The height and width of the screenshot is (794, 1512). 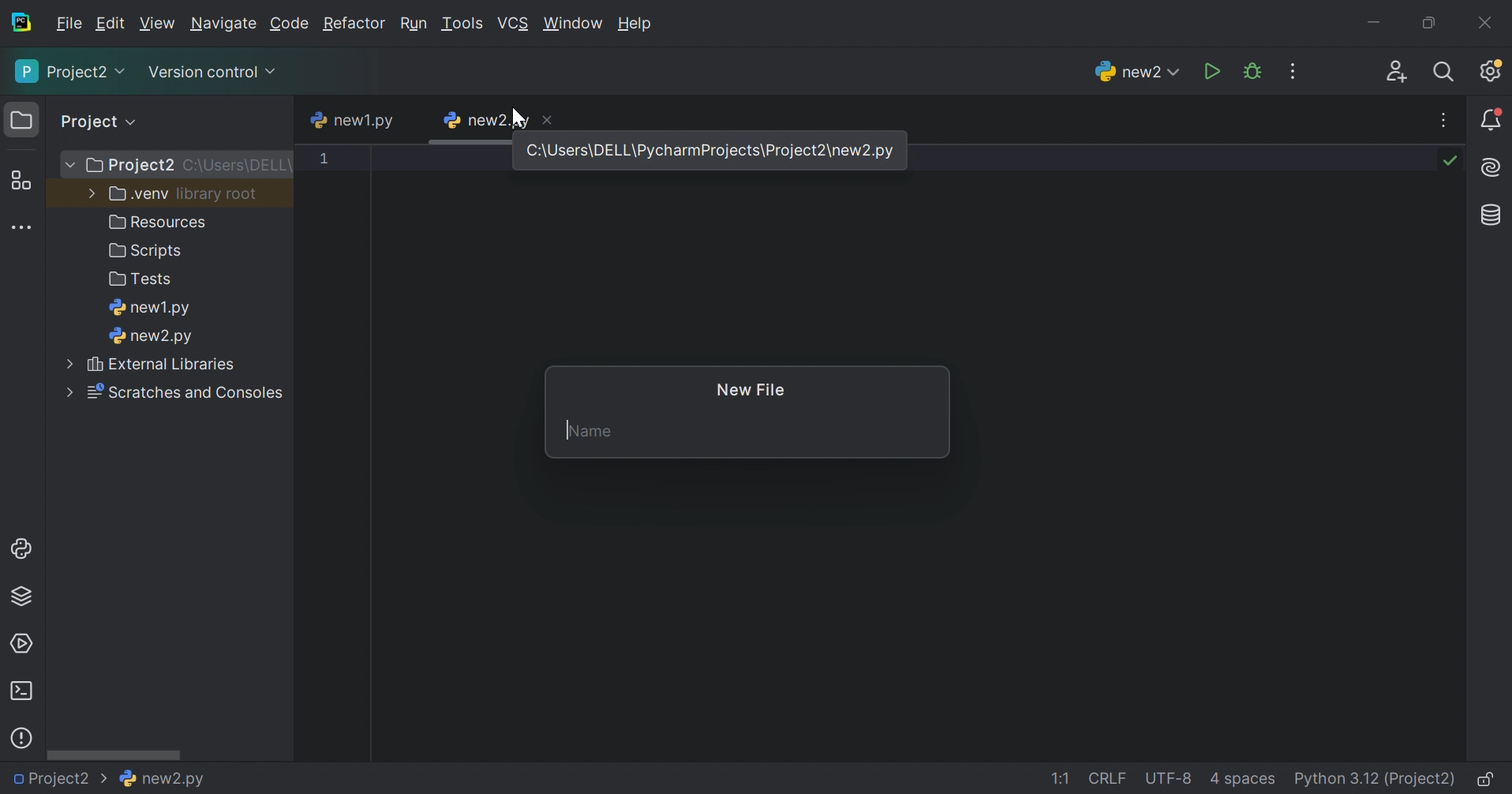 What do you see at coordinates (23, 549) in the screenshot?
I see `Python console` at bounding box center [23, 549].